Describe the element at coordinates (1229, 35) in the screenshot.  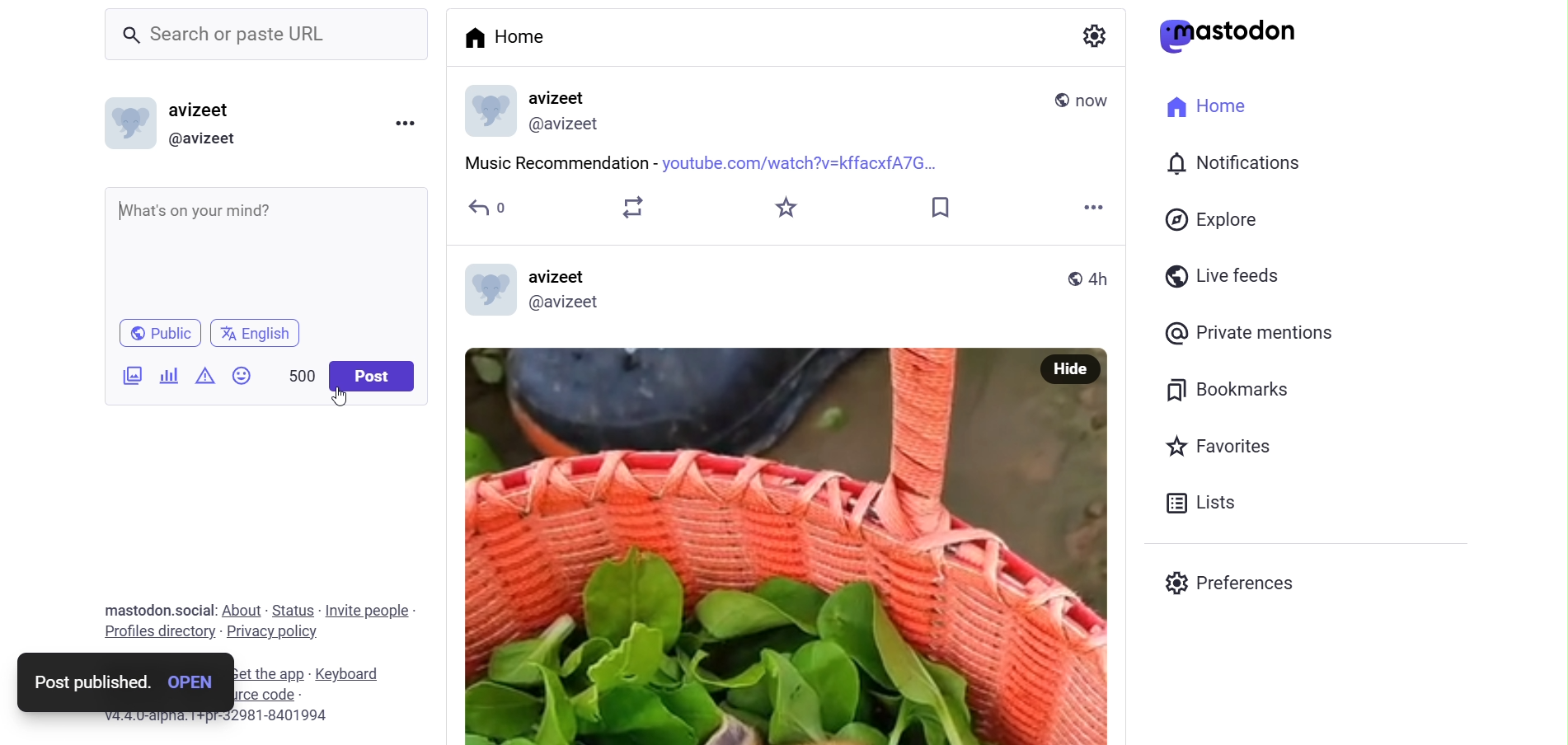
I see `mastodon` at that location.